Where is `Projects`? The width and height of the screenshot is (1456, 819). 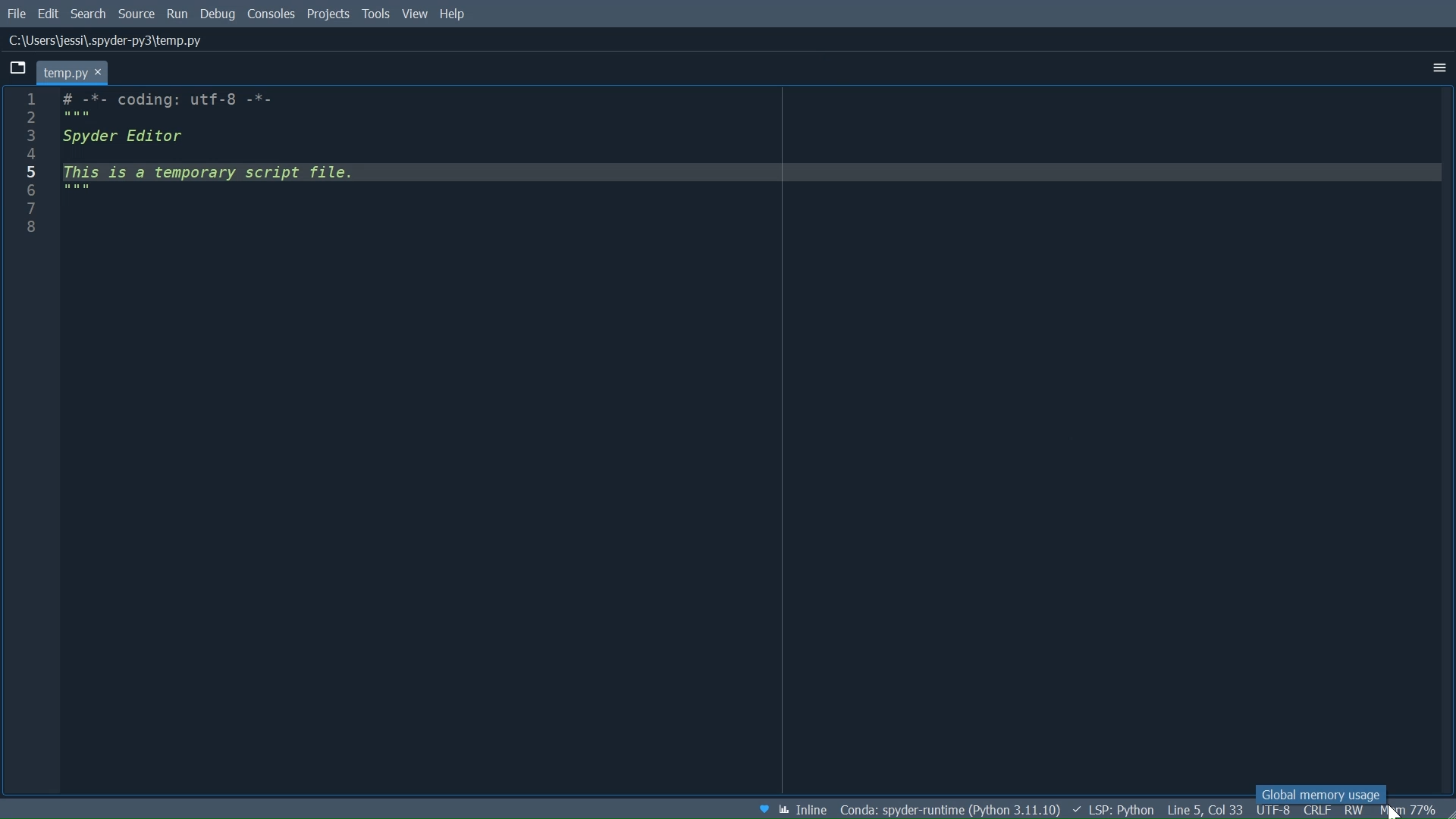 Projects is located at coordinates (329, 15).